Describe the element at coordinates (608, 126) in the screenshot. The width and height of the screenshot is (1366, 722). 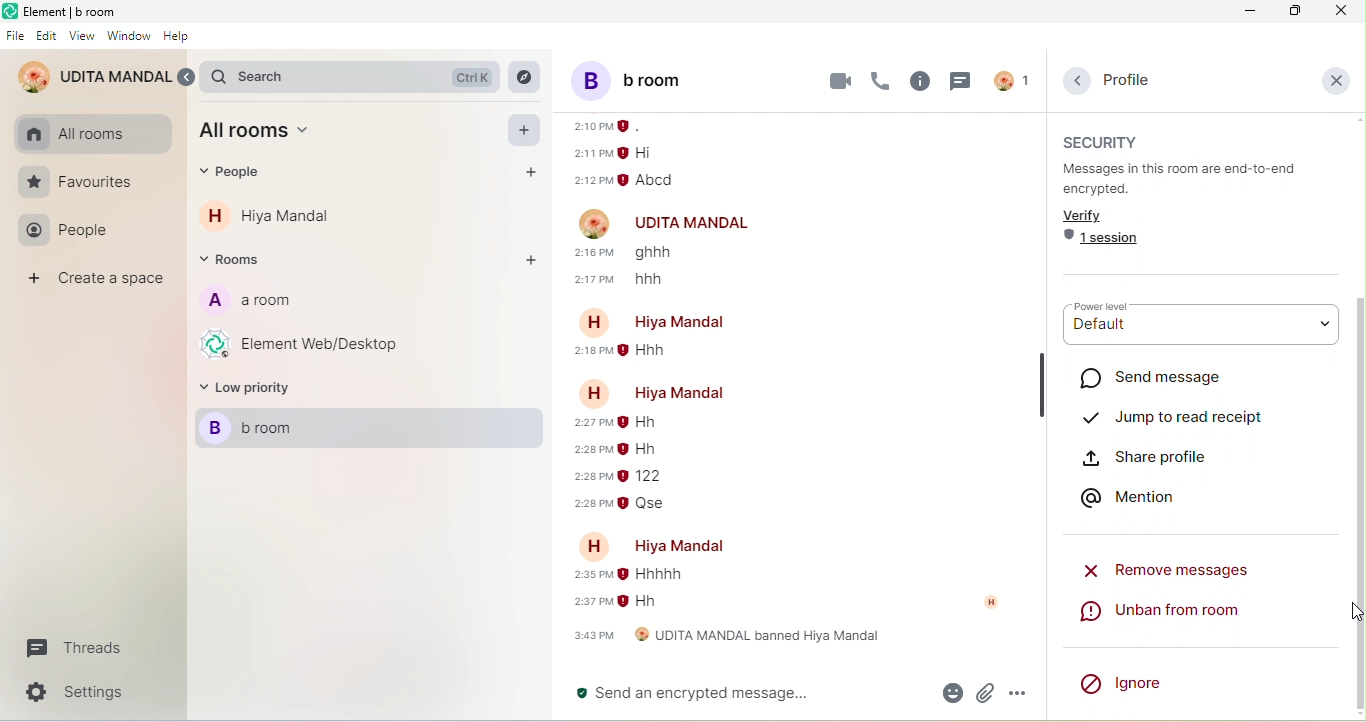
I see `time of message sending` at that location.